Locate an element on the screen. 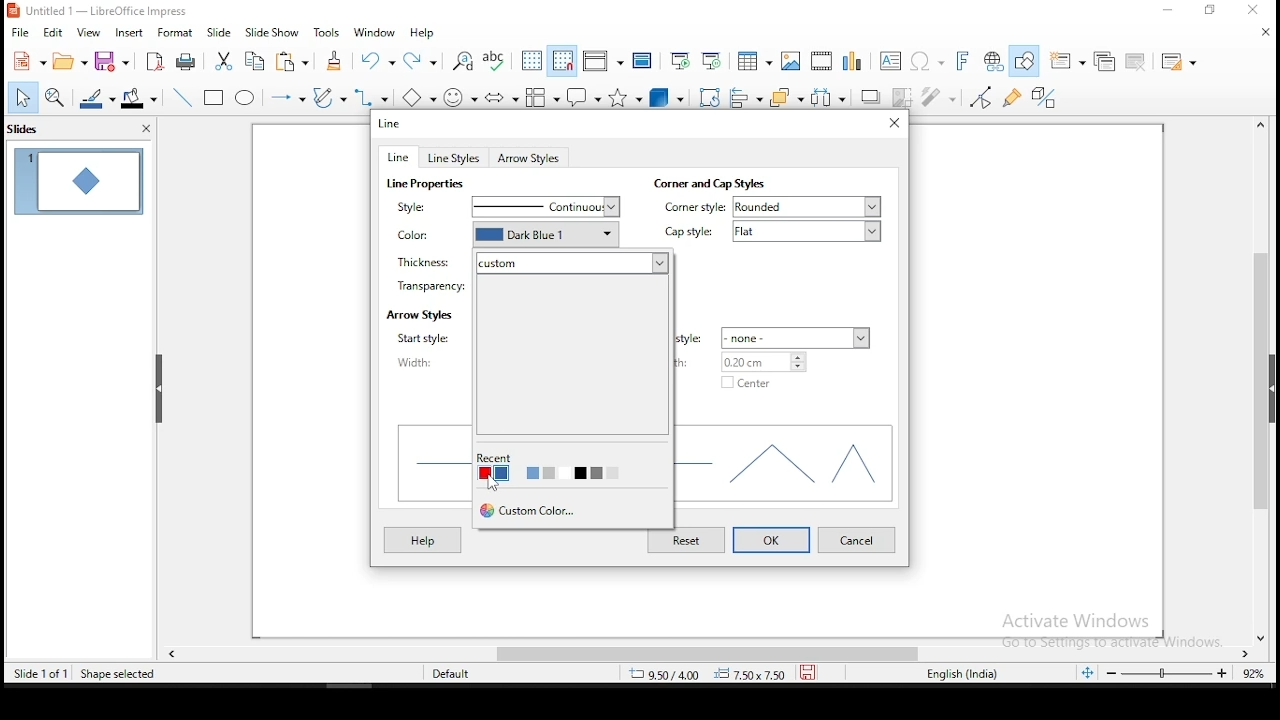 The image size is (1280, 720). crop image is located at coordinates (902, 98).